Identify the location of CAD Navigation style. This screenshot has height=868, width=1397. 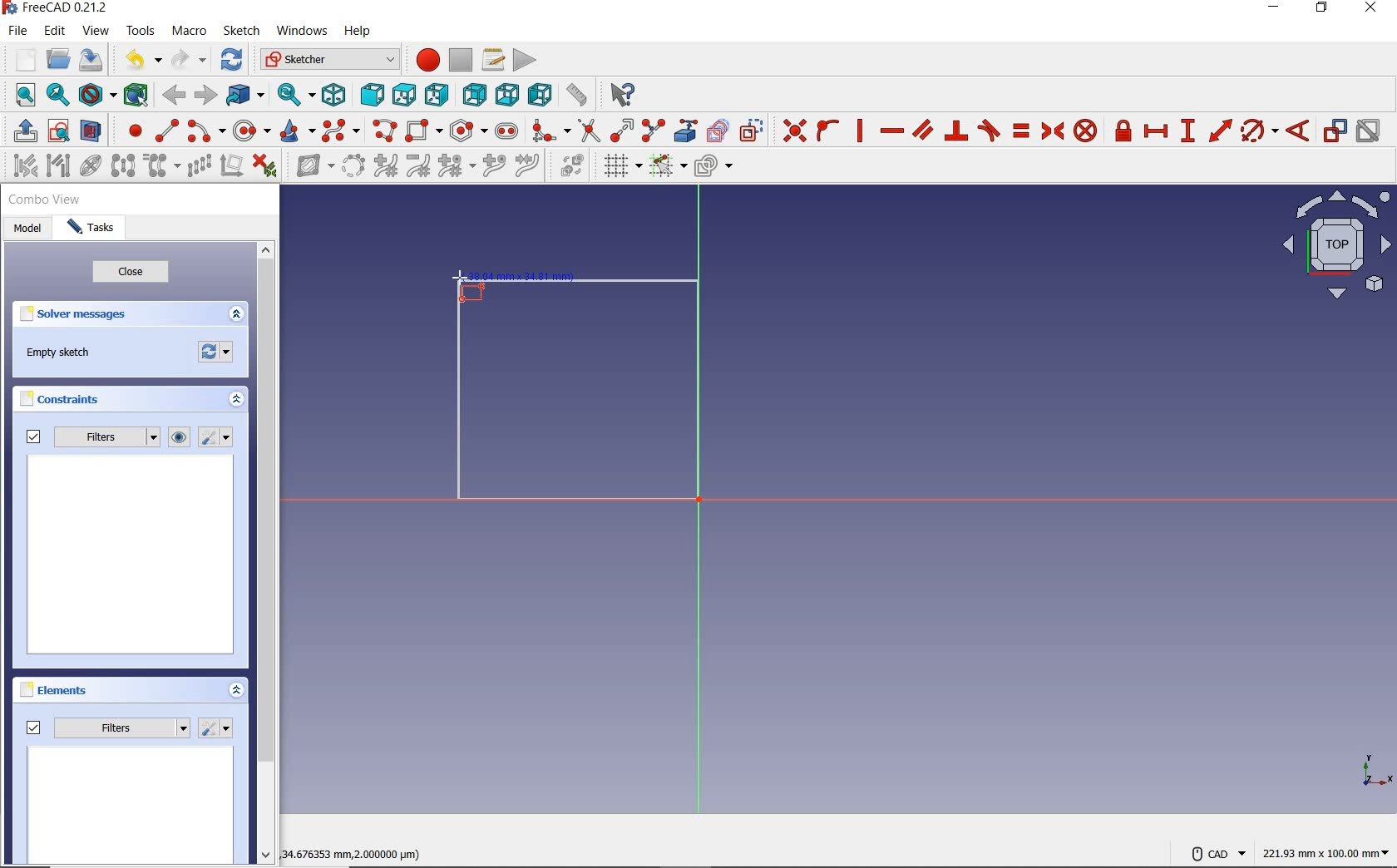
(1214, 852).